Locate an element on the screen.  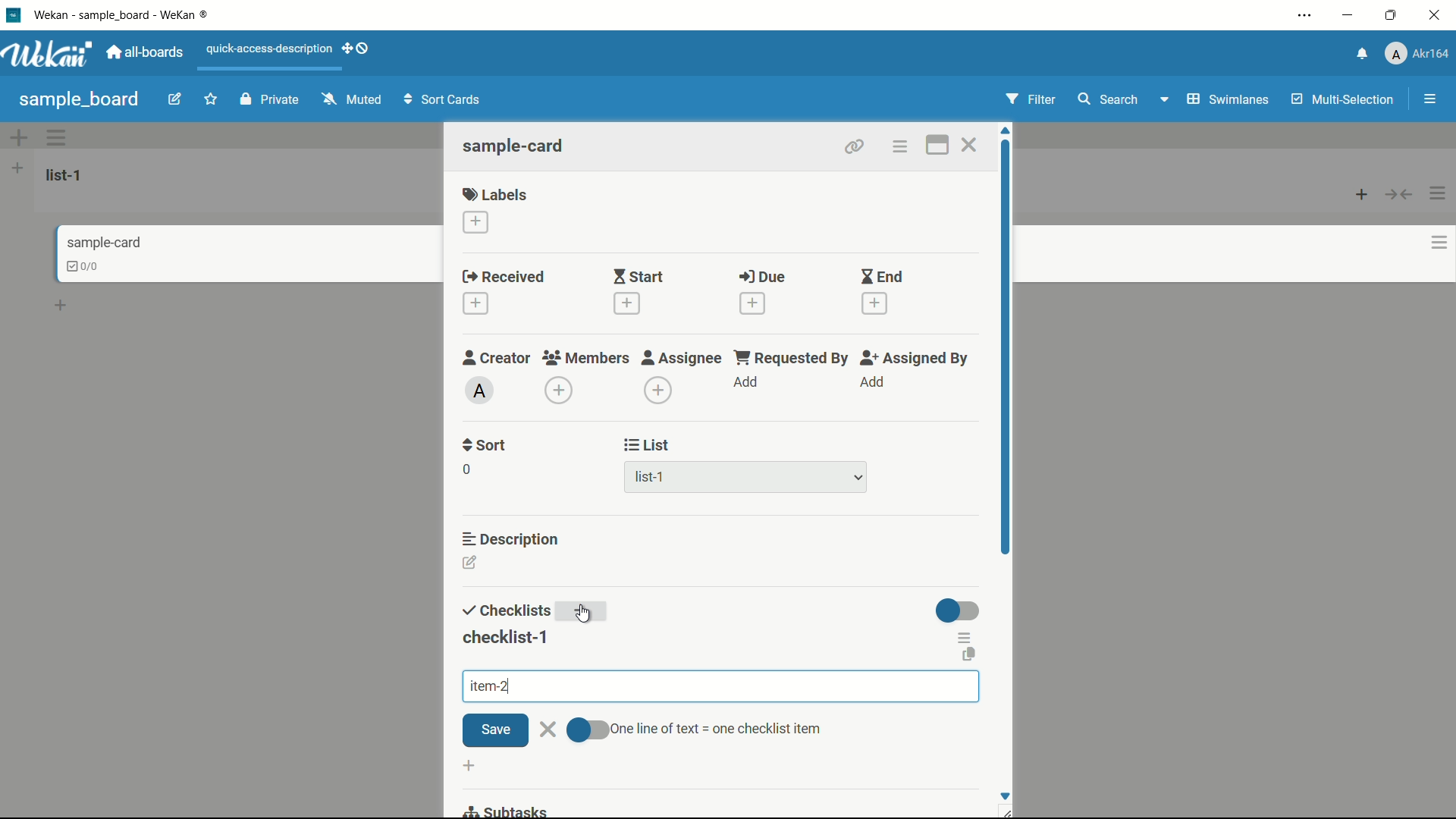
scroll down is located at coordinates (1004, 795).